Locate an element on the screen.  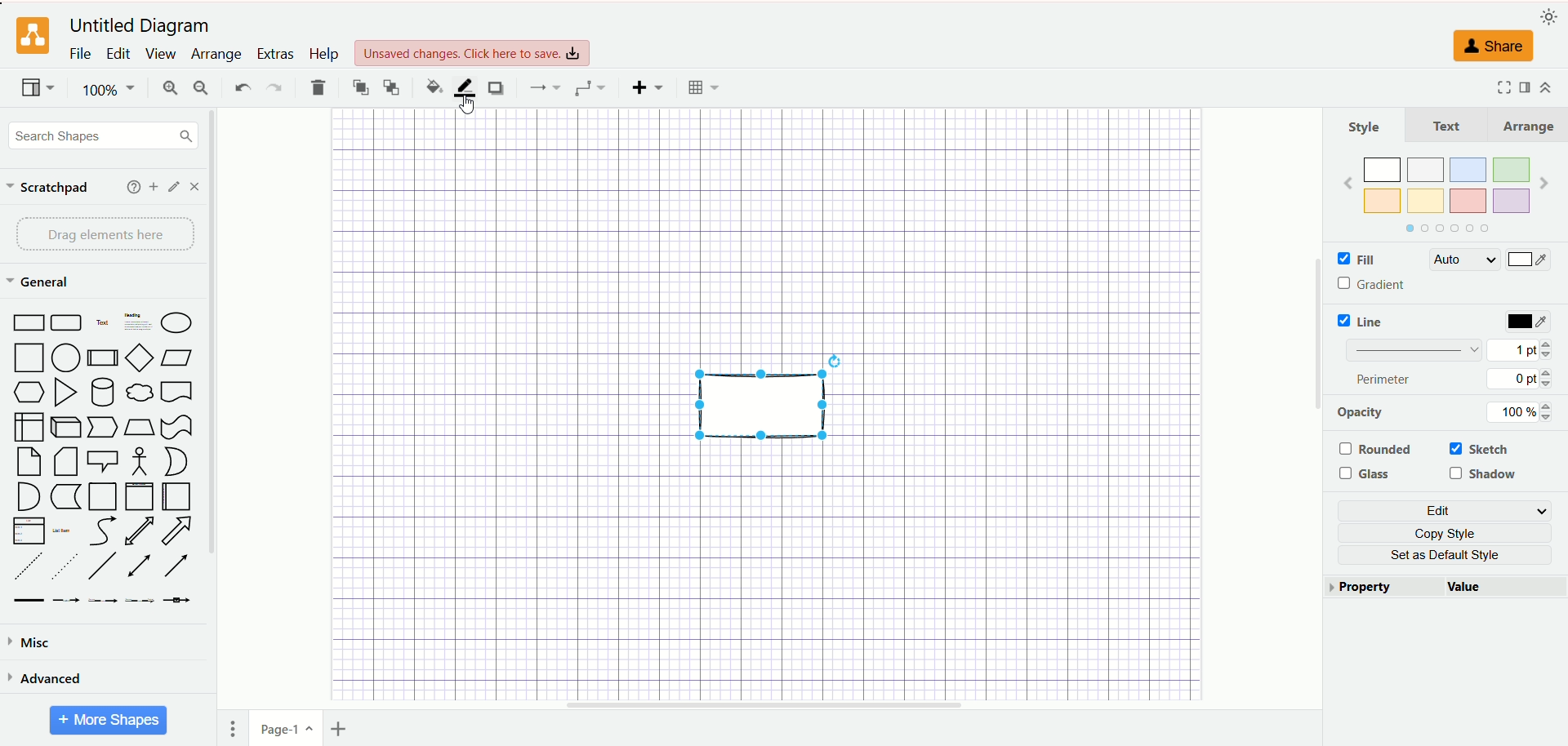
Untitled Diagram is located at coordinates (139, 26).